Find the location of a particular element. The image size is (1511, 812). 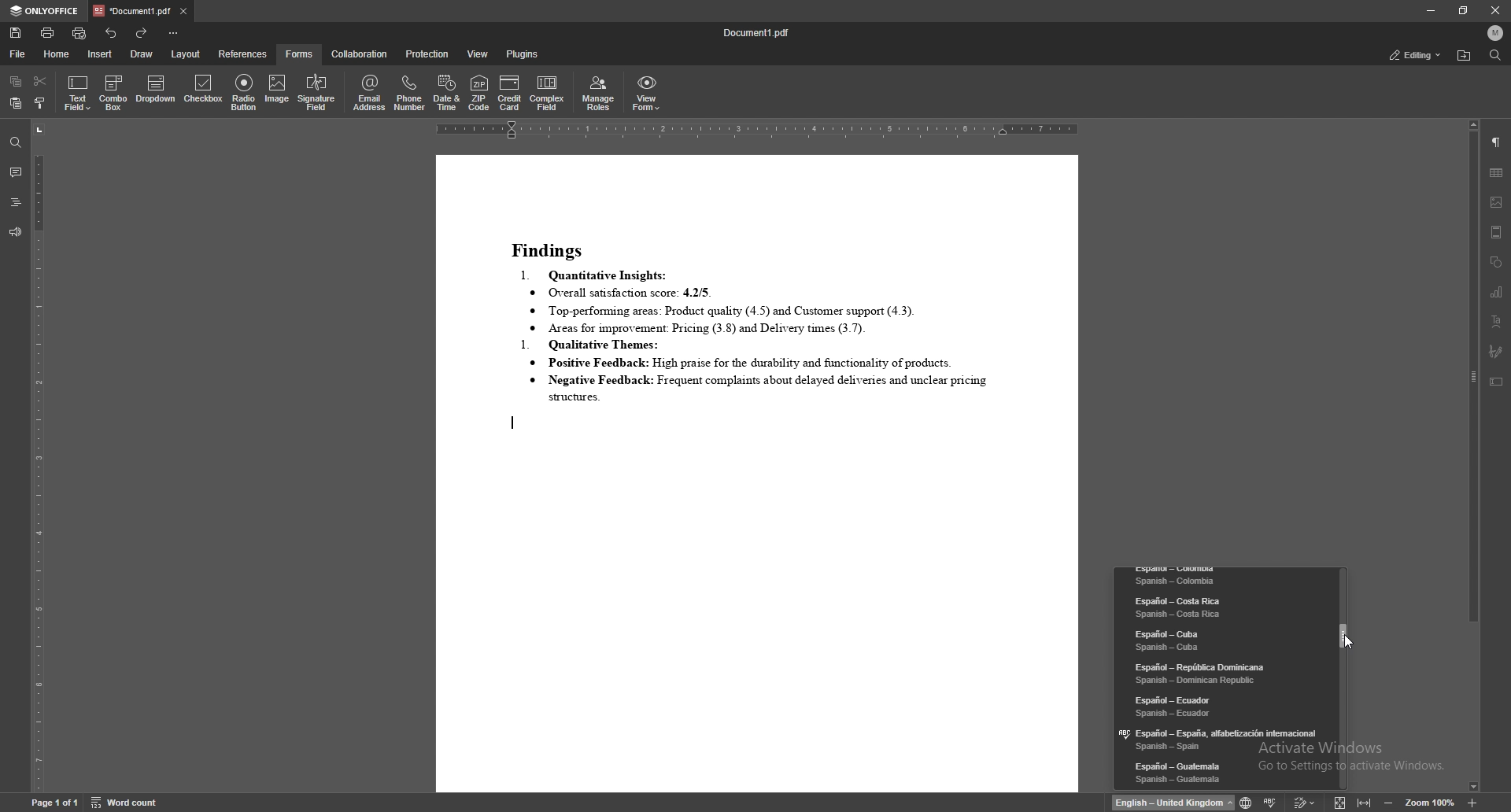

language is located at coordinates (1223, 773).